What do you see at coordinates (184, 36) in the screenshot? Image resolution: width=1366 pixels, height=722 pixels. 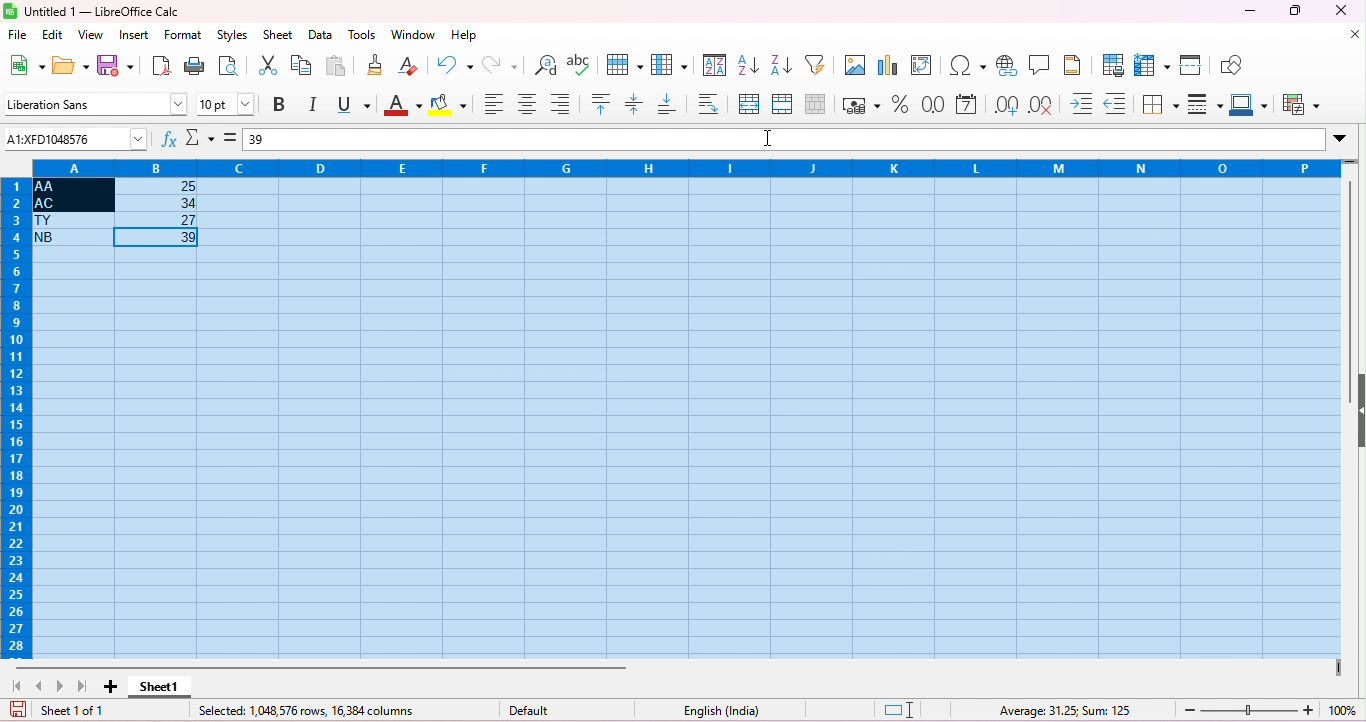 I see `format` at bounding box center [184, 36].